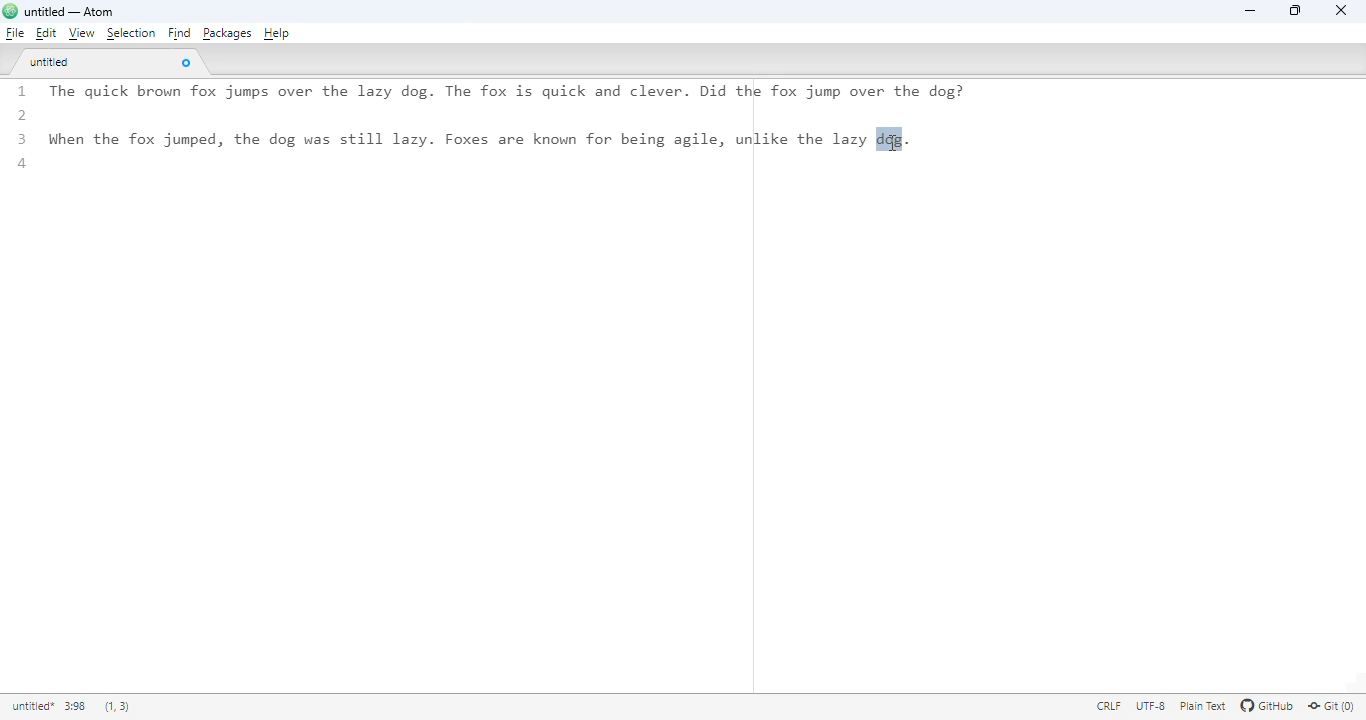 This screenshot has height=720, width=1366. Describe the element at coordinates (119, 708) in the screenshot. I see `(1, 3)` at that location.